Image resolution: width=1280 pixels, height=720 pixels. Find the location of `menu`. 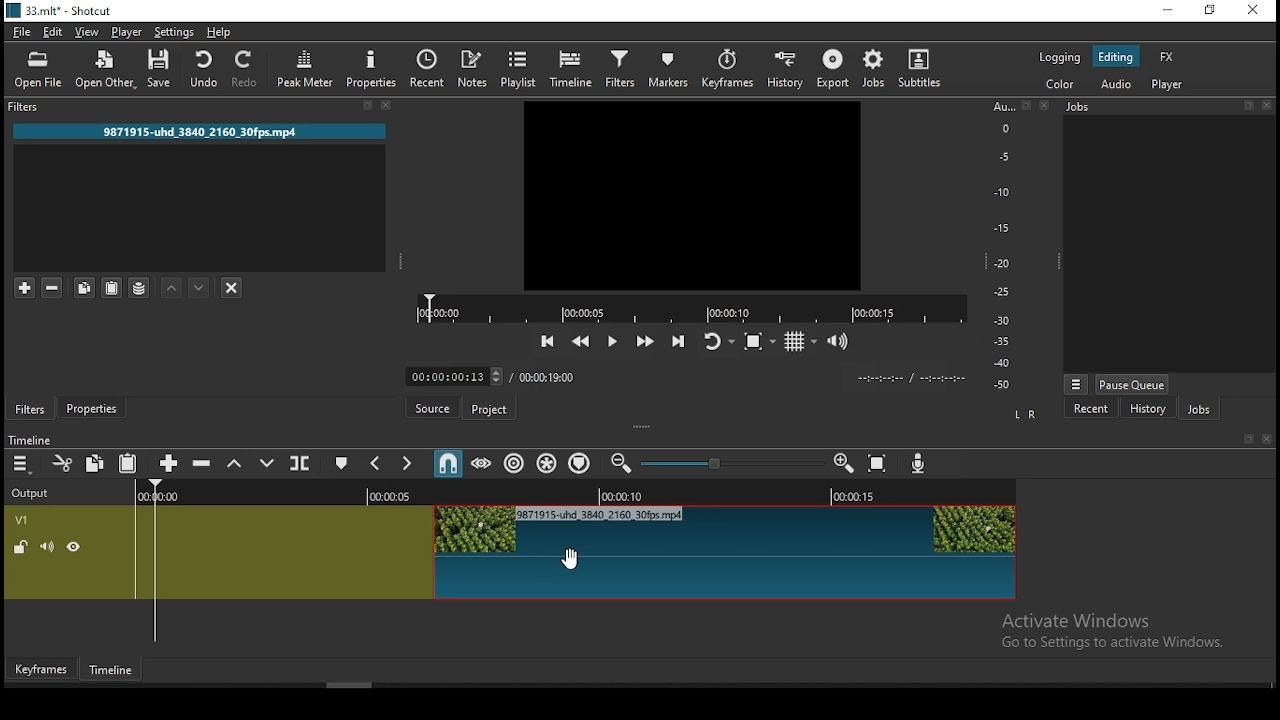

menu is located at coordinates (22, 463).